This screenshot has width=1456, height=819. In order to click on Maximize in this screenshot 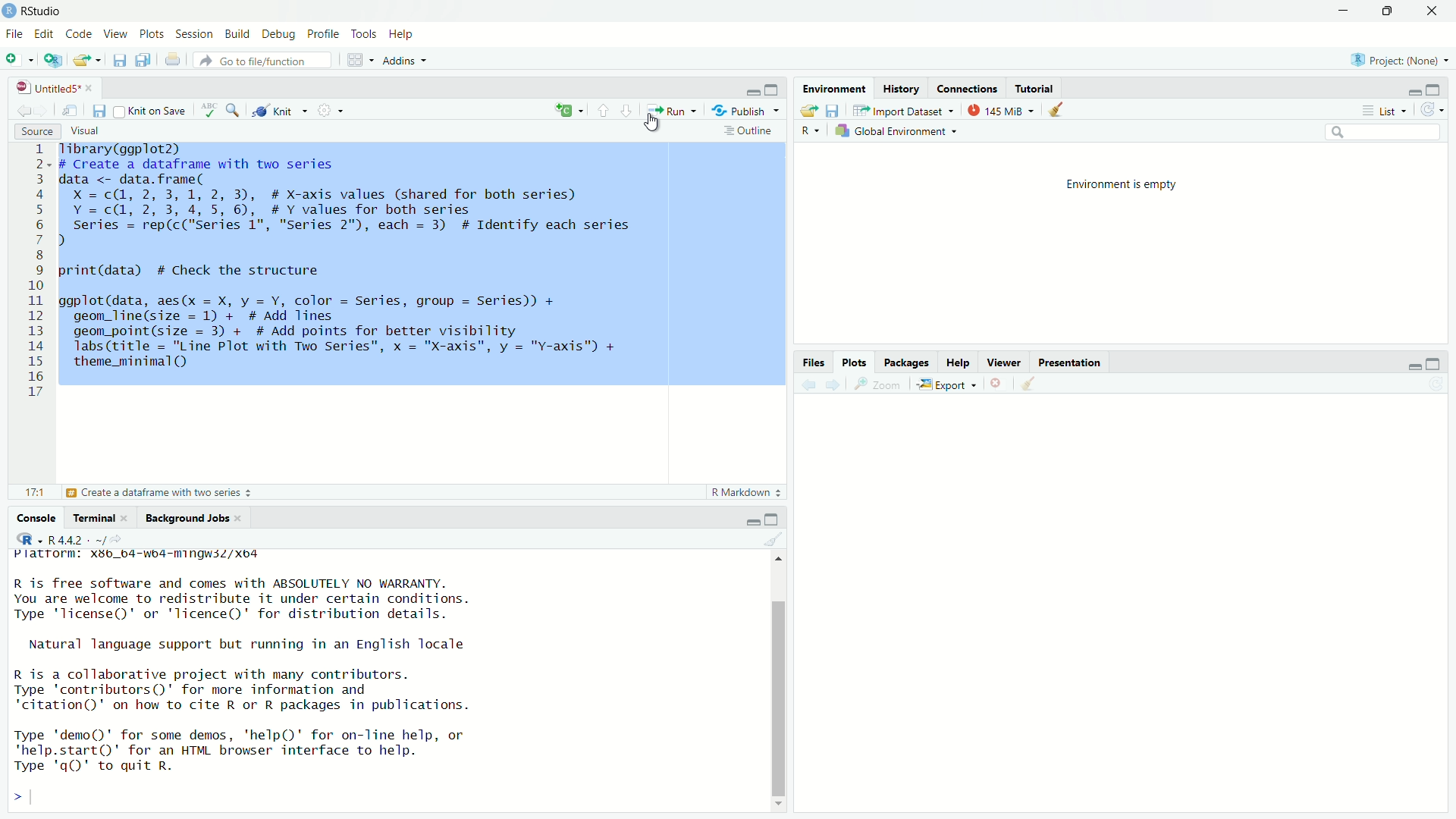, I will do `click(1385, 11)`.